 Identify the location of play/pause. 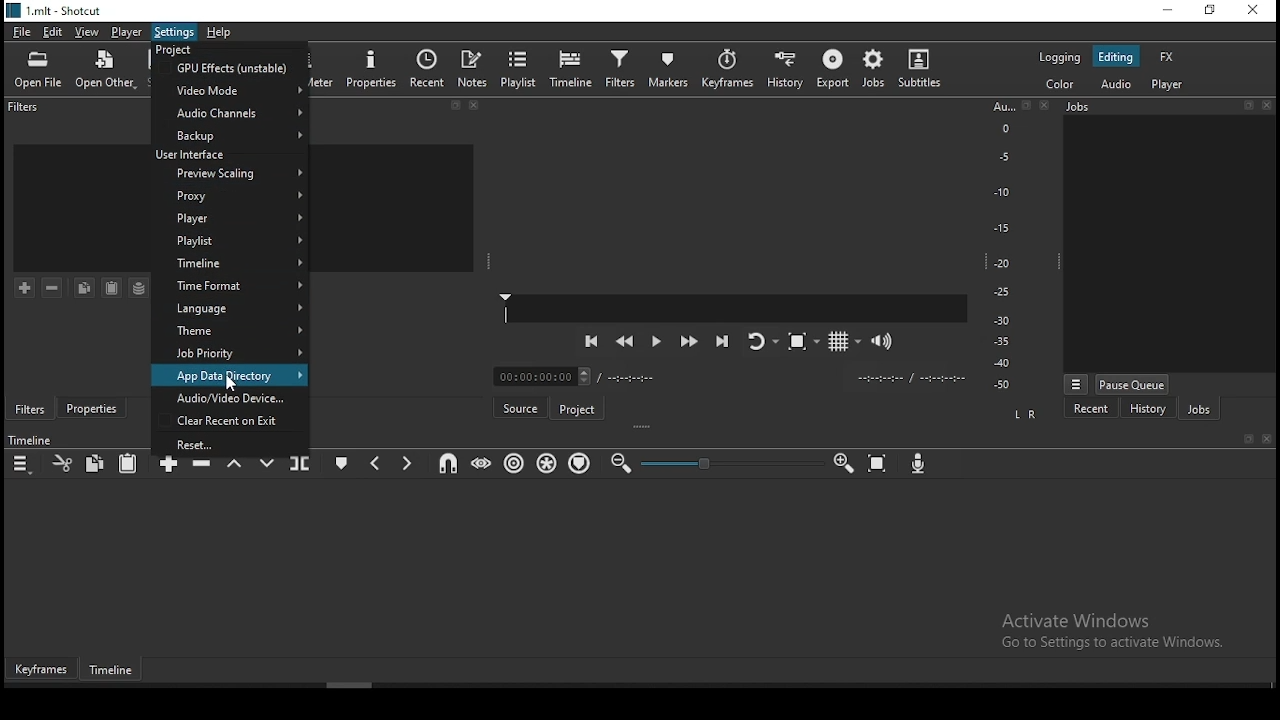
(655, 345).